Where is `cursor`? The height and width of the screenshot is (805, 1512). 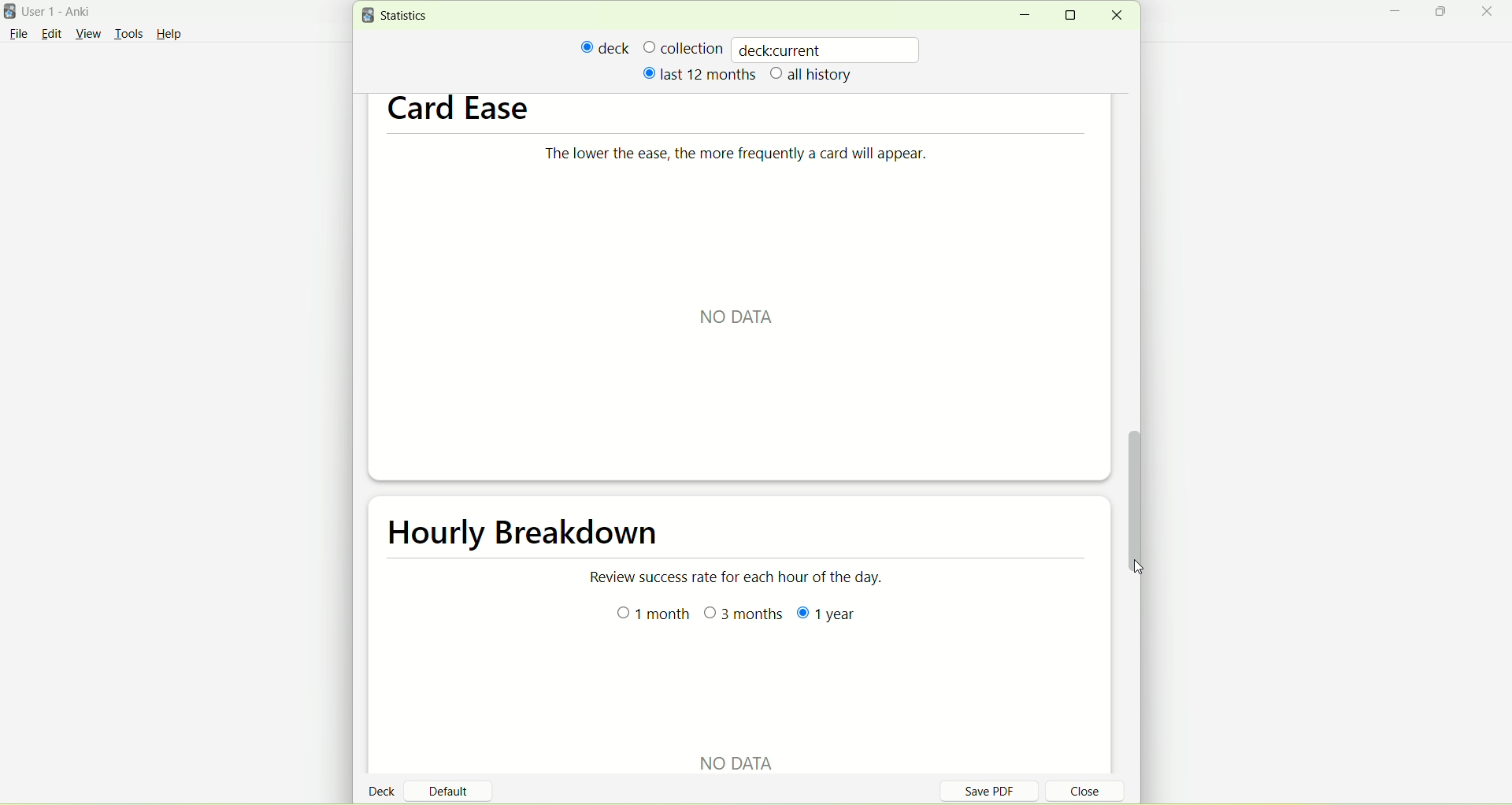 cursor is located at coordinates (1140, 568).